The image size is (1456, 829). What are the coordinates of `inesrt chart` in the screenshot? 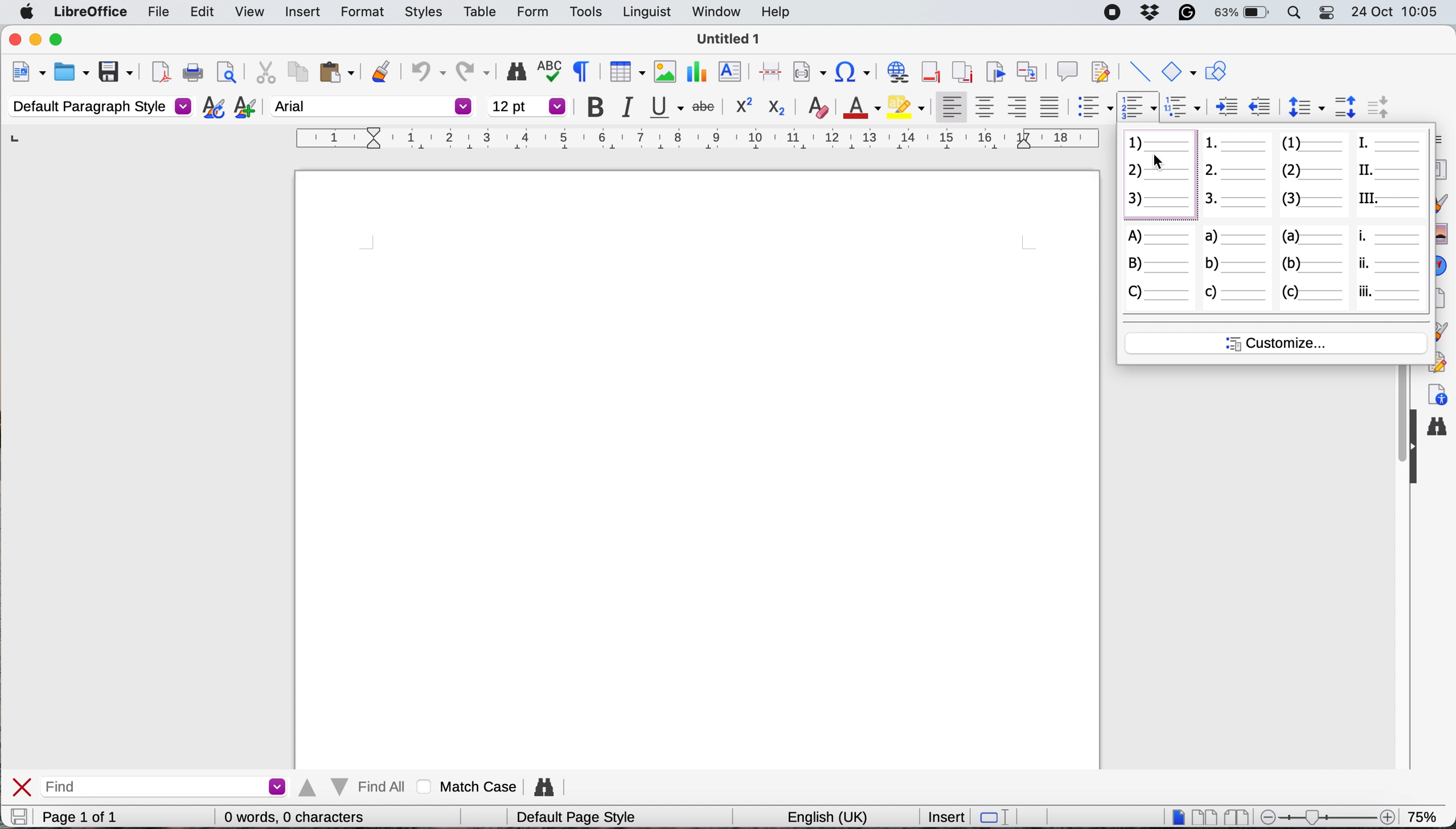 It's located at (698, 72).